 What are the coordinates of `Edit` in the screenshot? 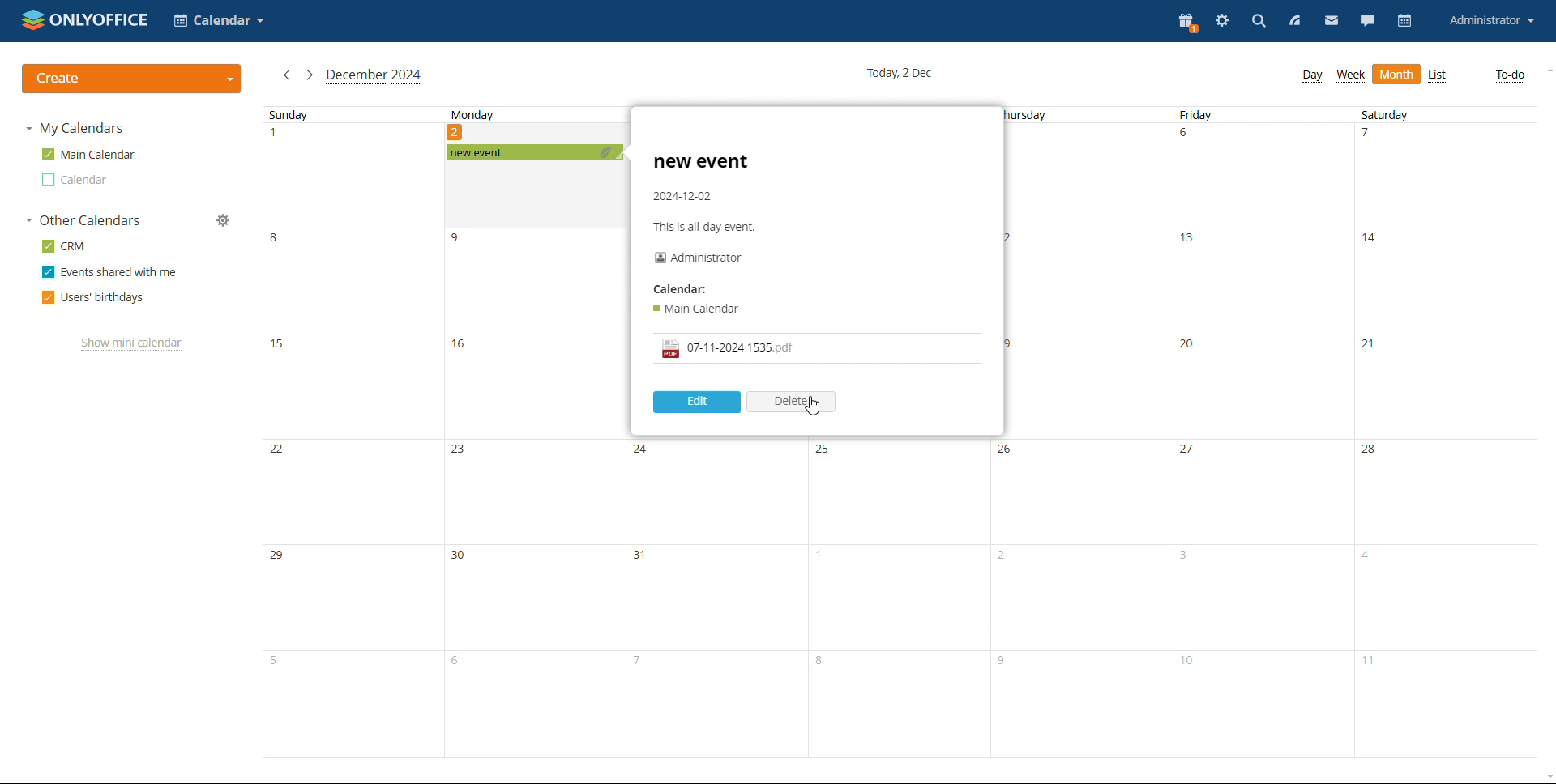 It's located at (695, 400).